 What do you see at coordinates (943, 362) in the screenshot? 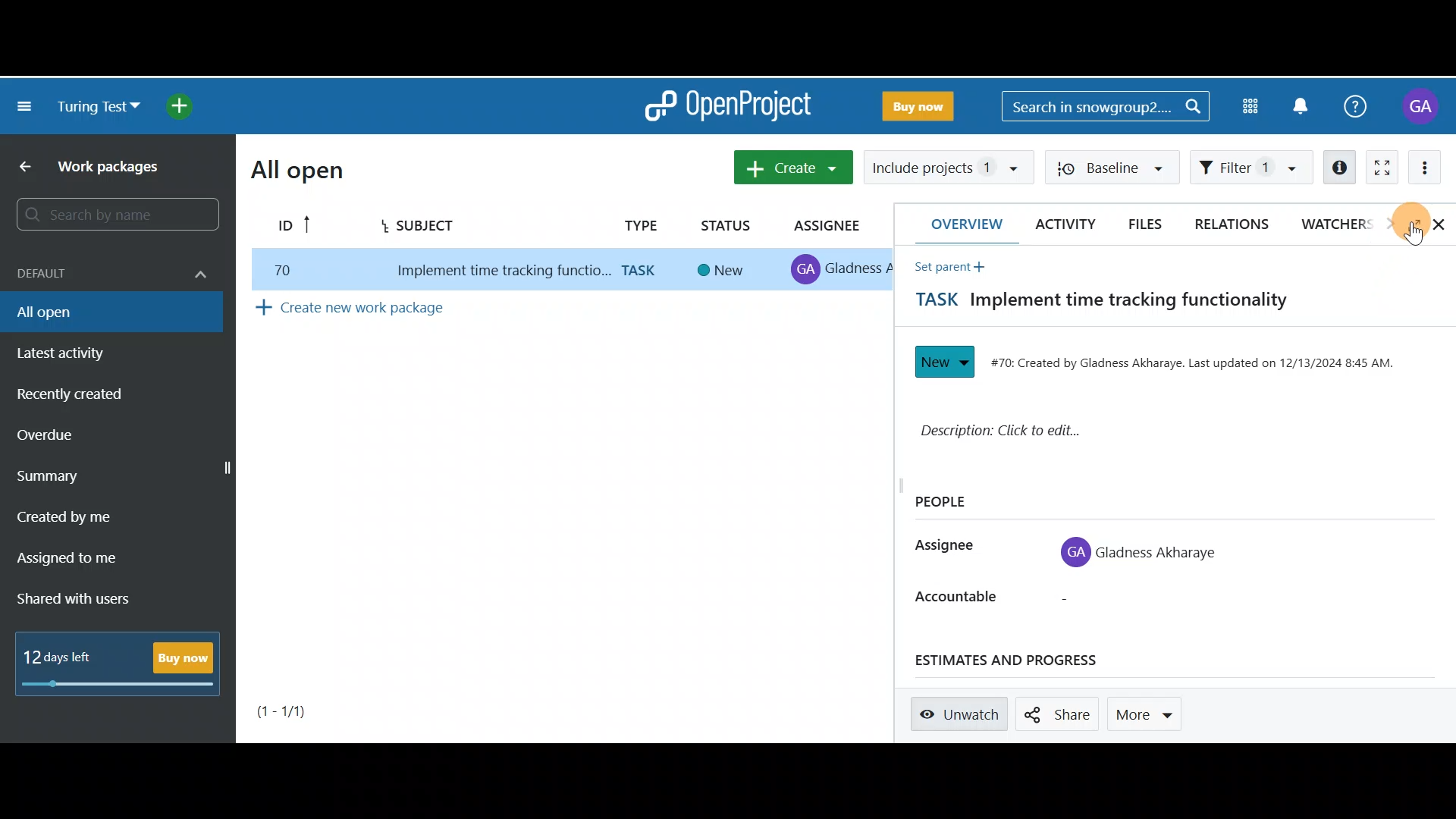
I see `New` at bounding box center [943, 362].